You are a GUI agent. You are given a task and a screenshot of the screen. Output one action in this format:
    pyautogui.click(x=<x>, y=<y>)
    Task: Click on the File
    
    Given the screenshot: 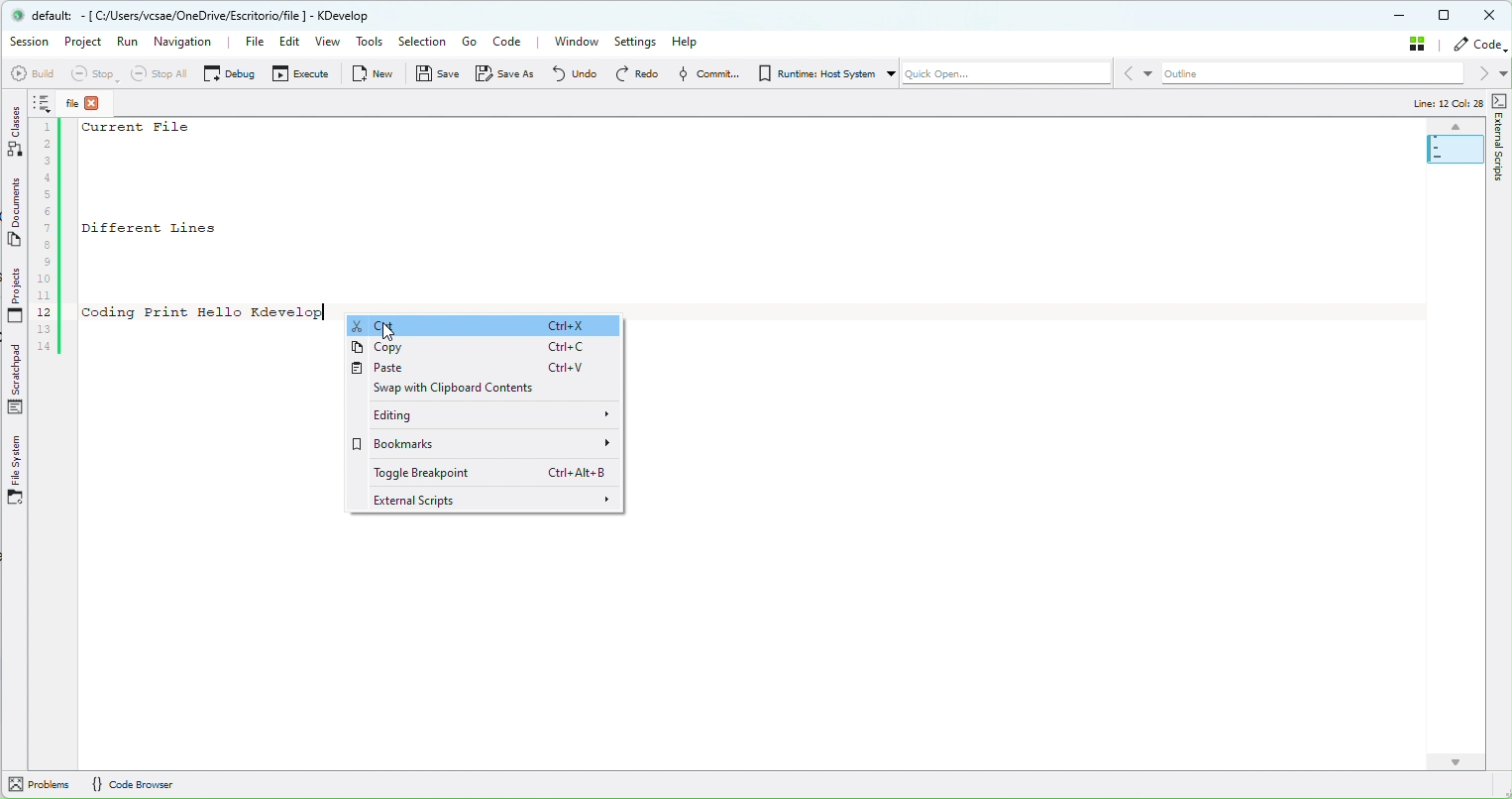 What is the action you would take?
    pyautogui.click(x=86, y=100)
    